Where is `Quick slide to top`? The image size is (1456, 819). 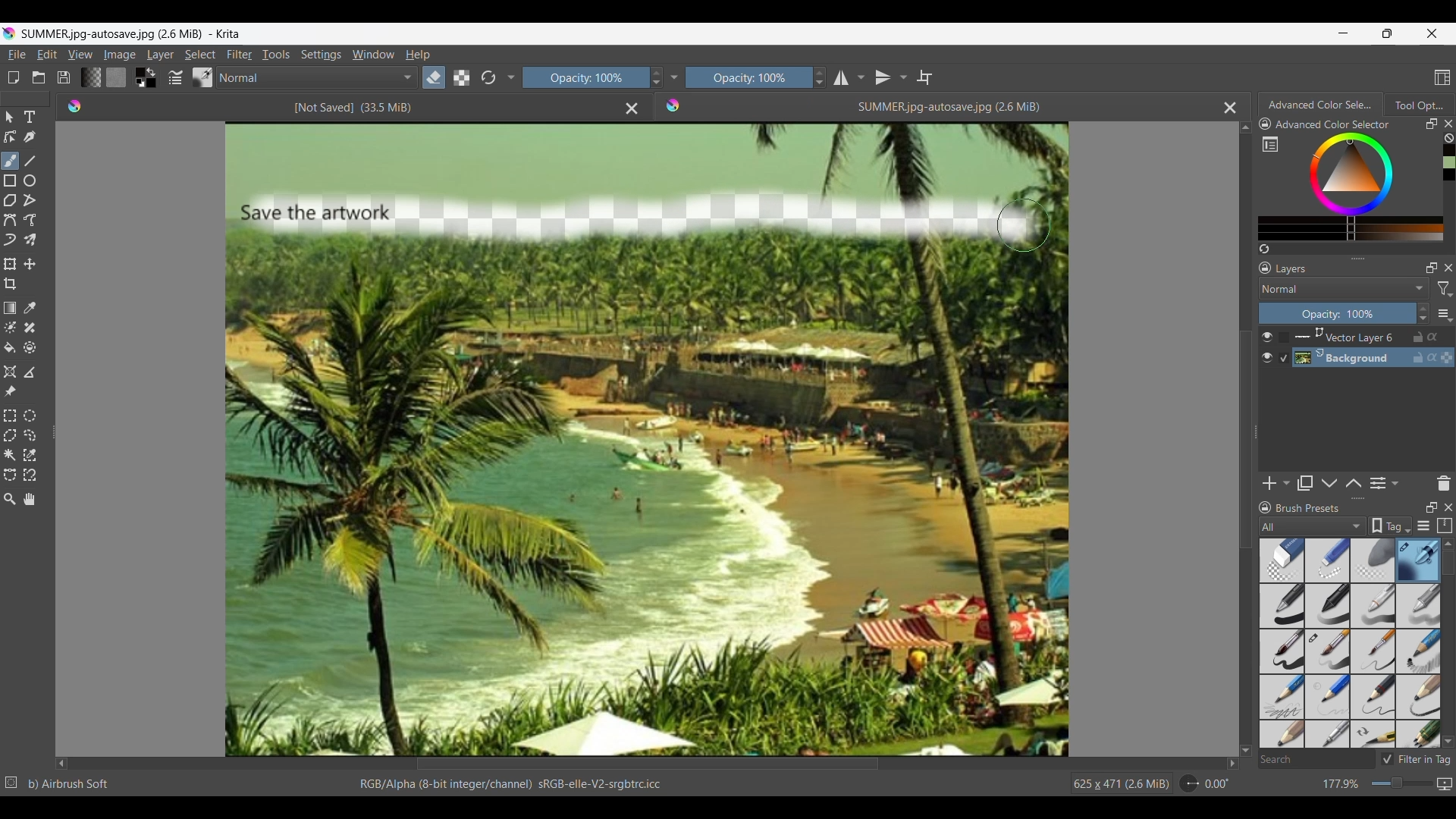 Quick slide to top is located at coordinates (1246, 128).